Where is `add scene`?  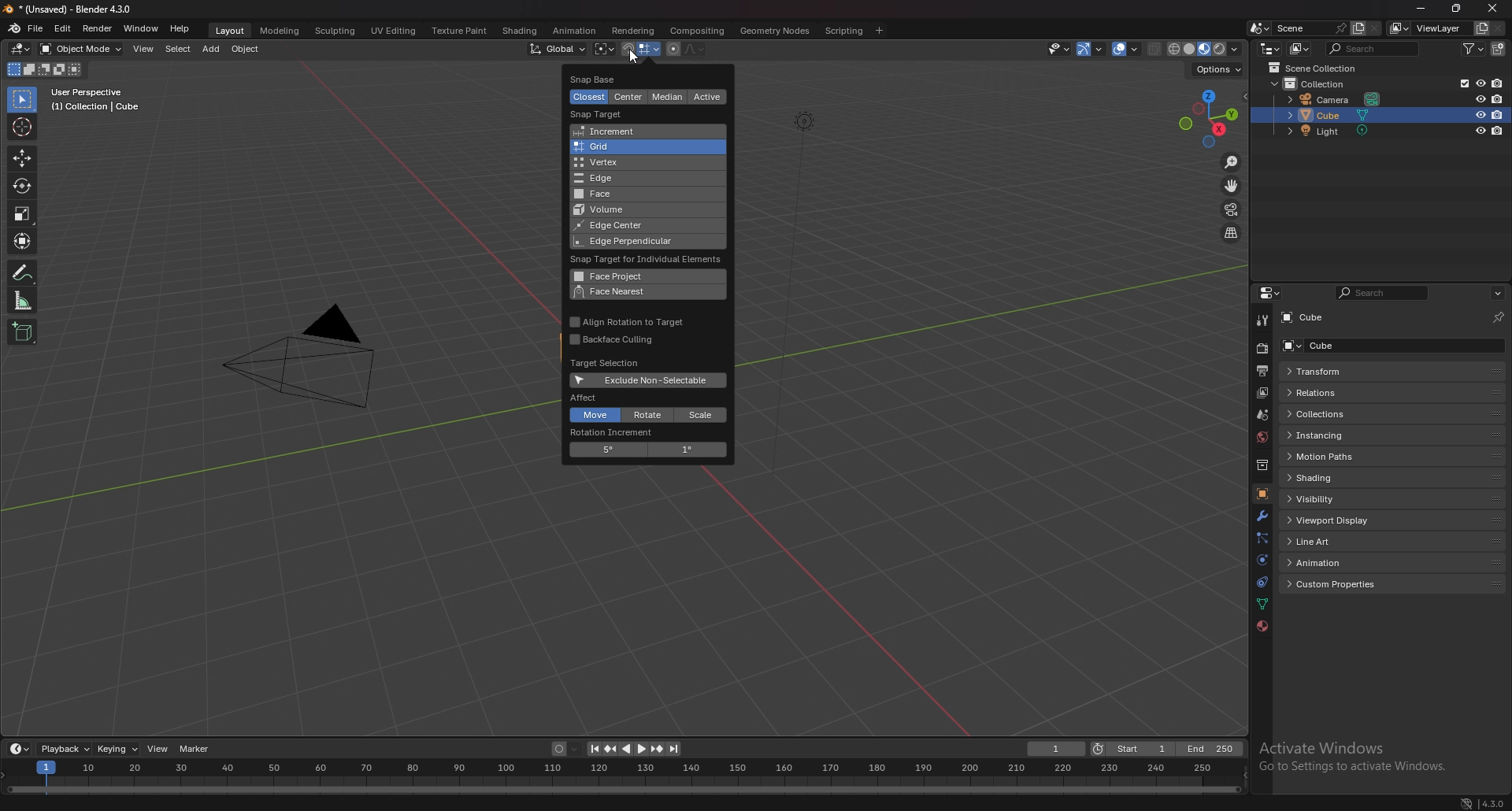 add scene is located at coordinates (1358, 28).